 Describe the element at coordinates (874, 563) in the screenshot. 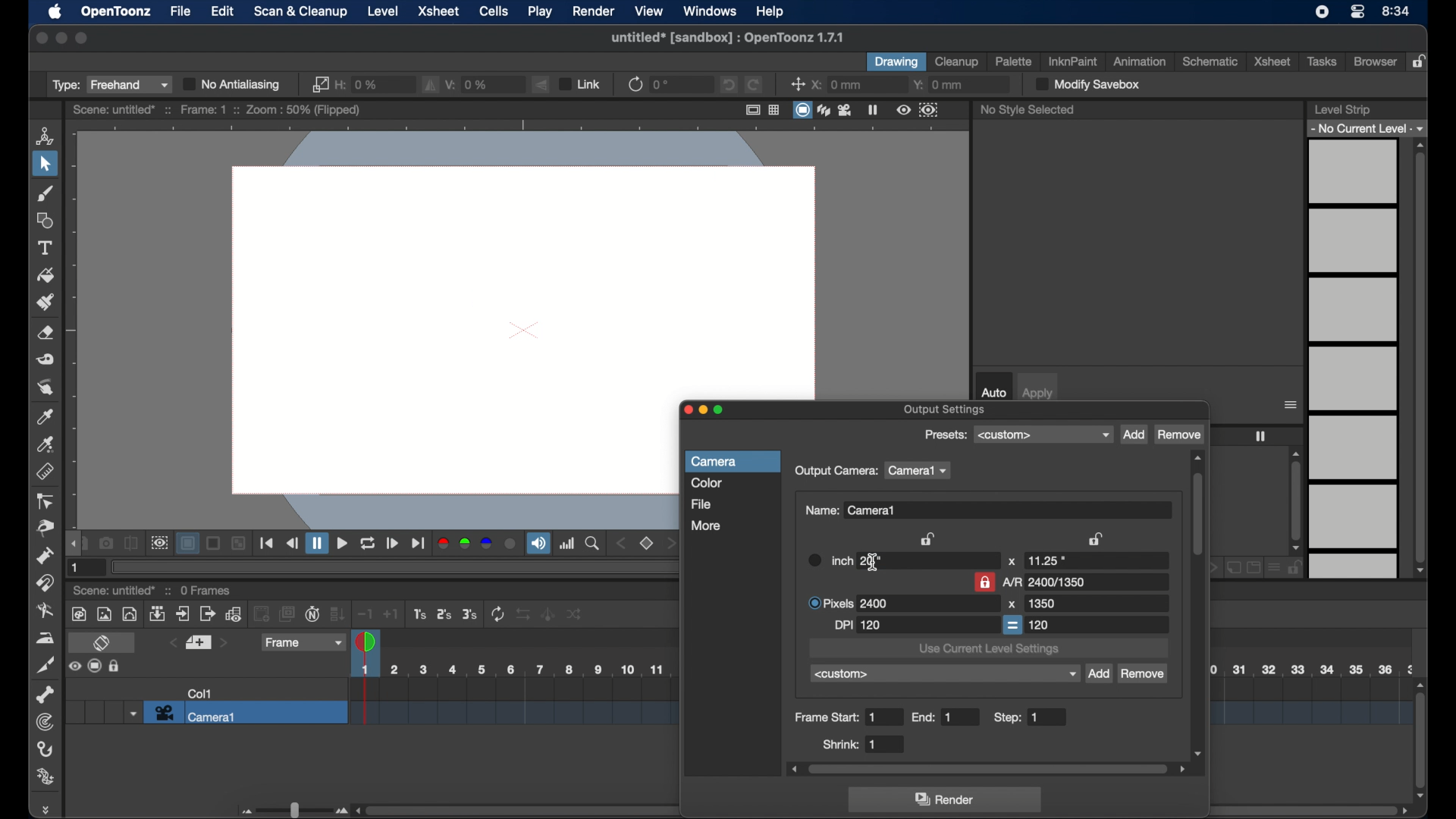

I see `text cursor` at that location.